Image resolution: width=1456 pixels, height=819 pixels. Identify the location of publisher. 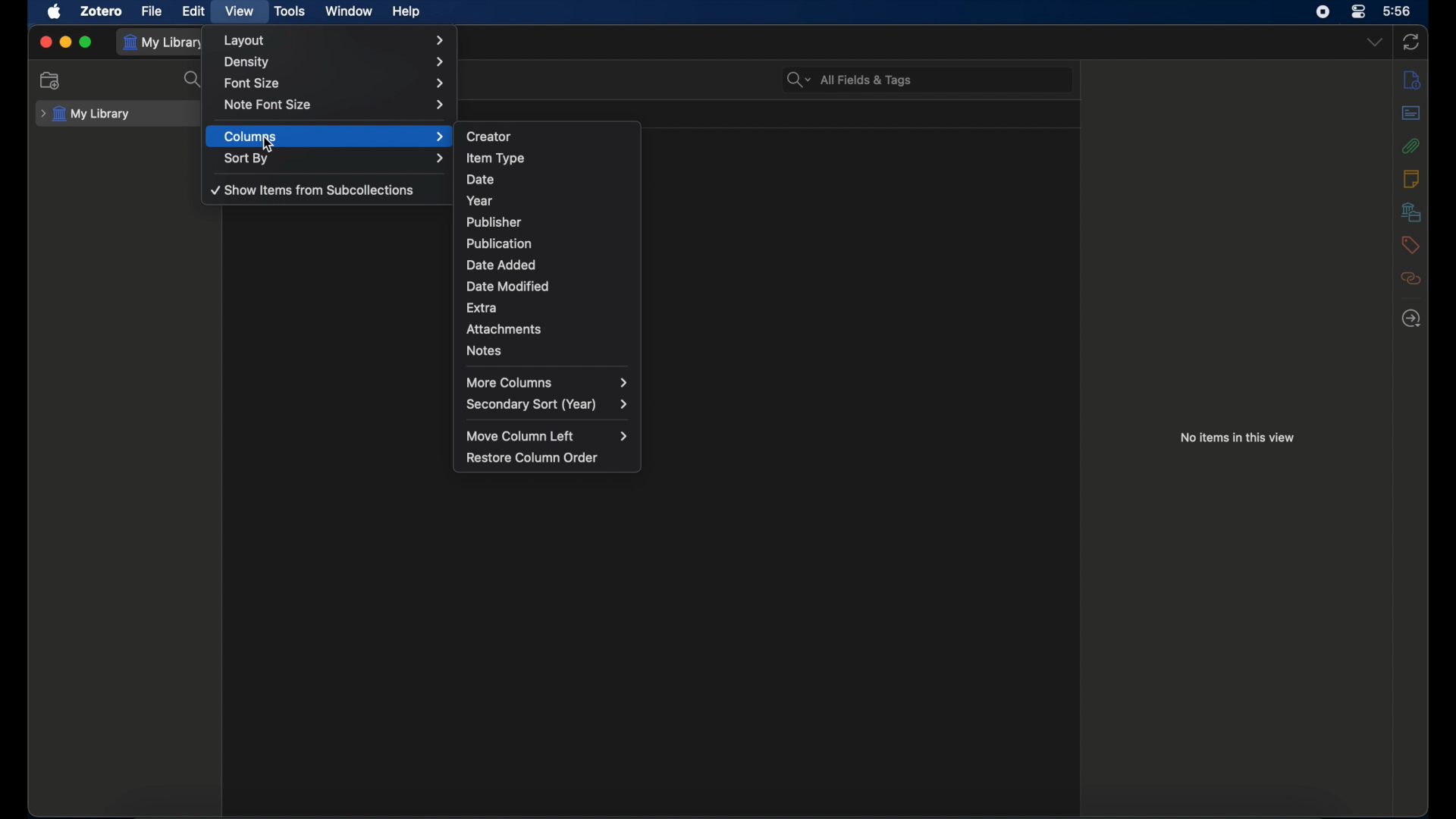
(551, 221).